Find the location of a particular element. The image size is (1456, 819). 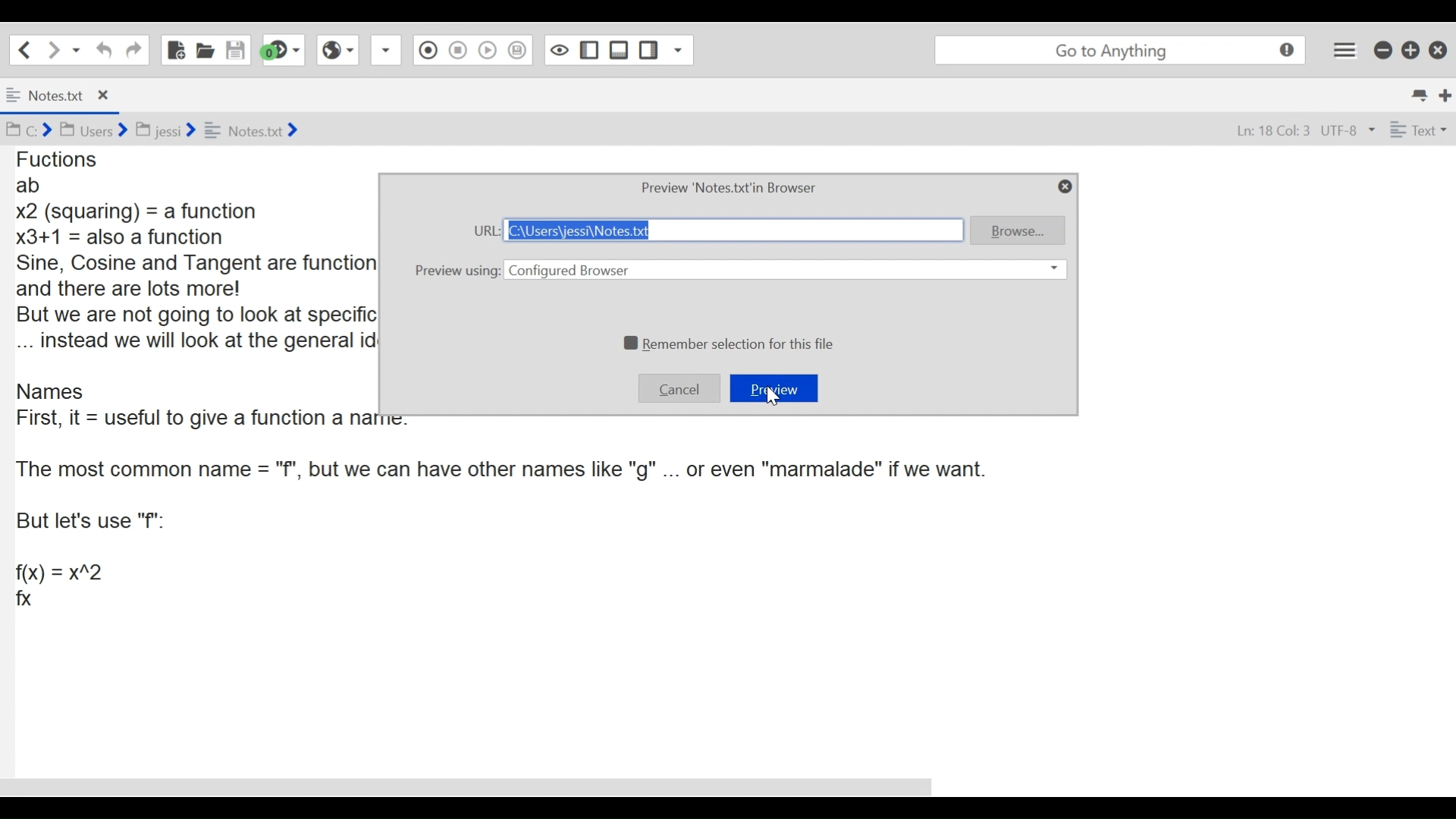

Preview using: is located at coordinates (458, 269).